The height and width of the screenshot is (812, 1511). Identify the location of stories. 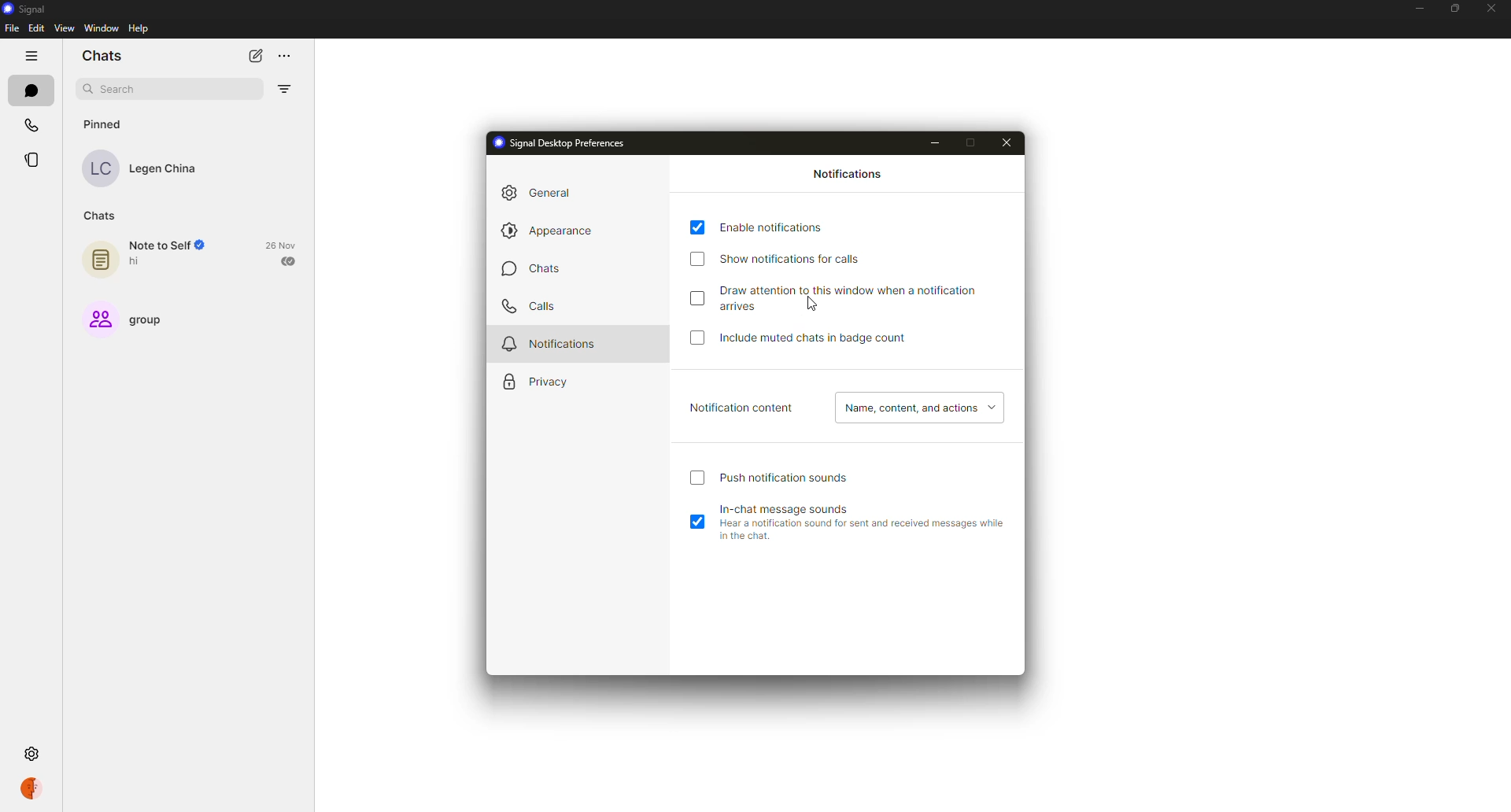
(31, 157).